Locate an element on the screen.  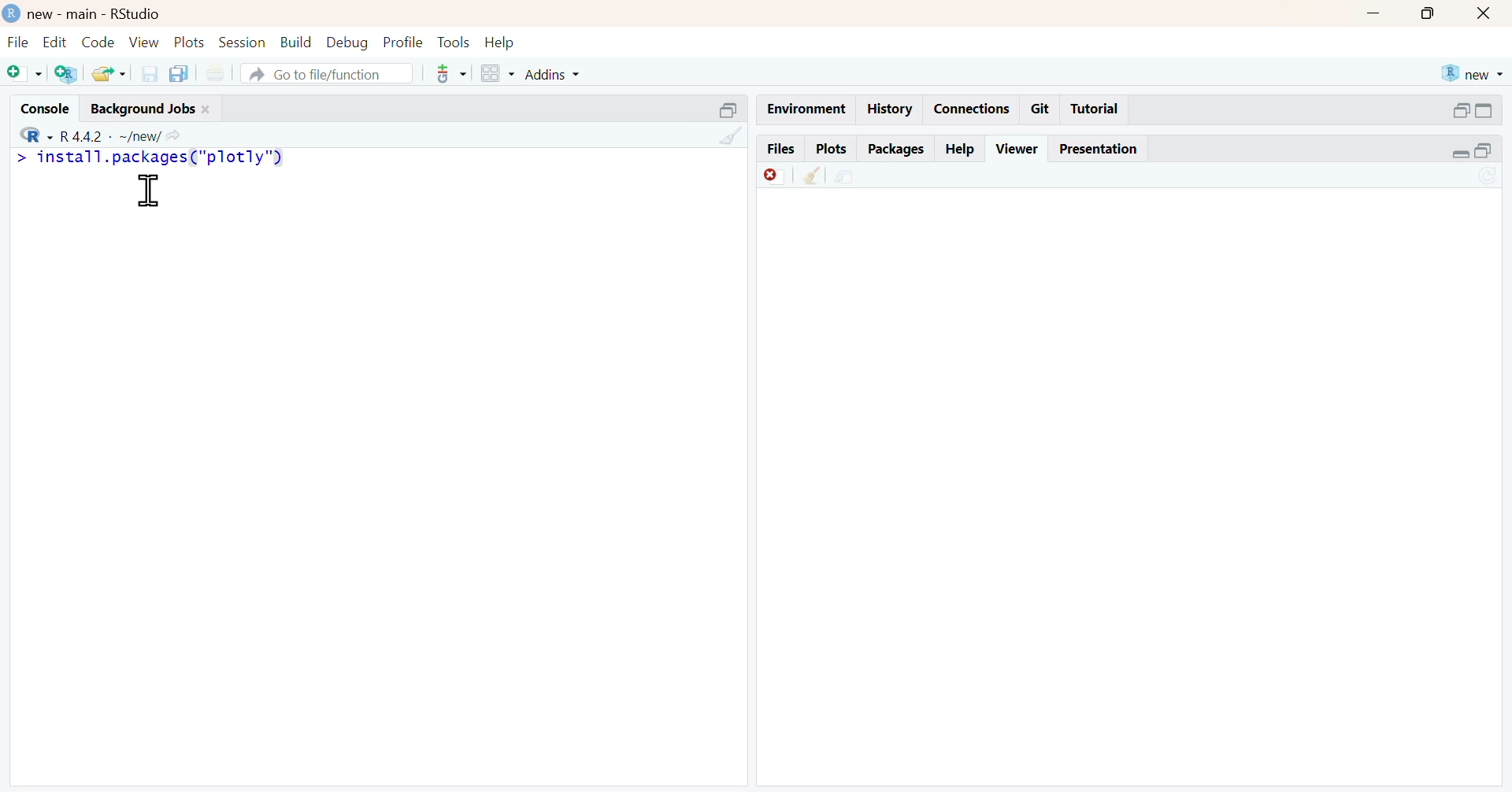
addins is located at coordinates (558, 73).